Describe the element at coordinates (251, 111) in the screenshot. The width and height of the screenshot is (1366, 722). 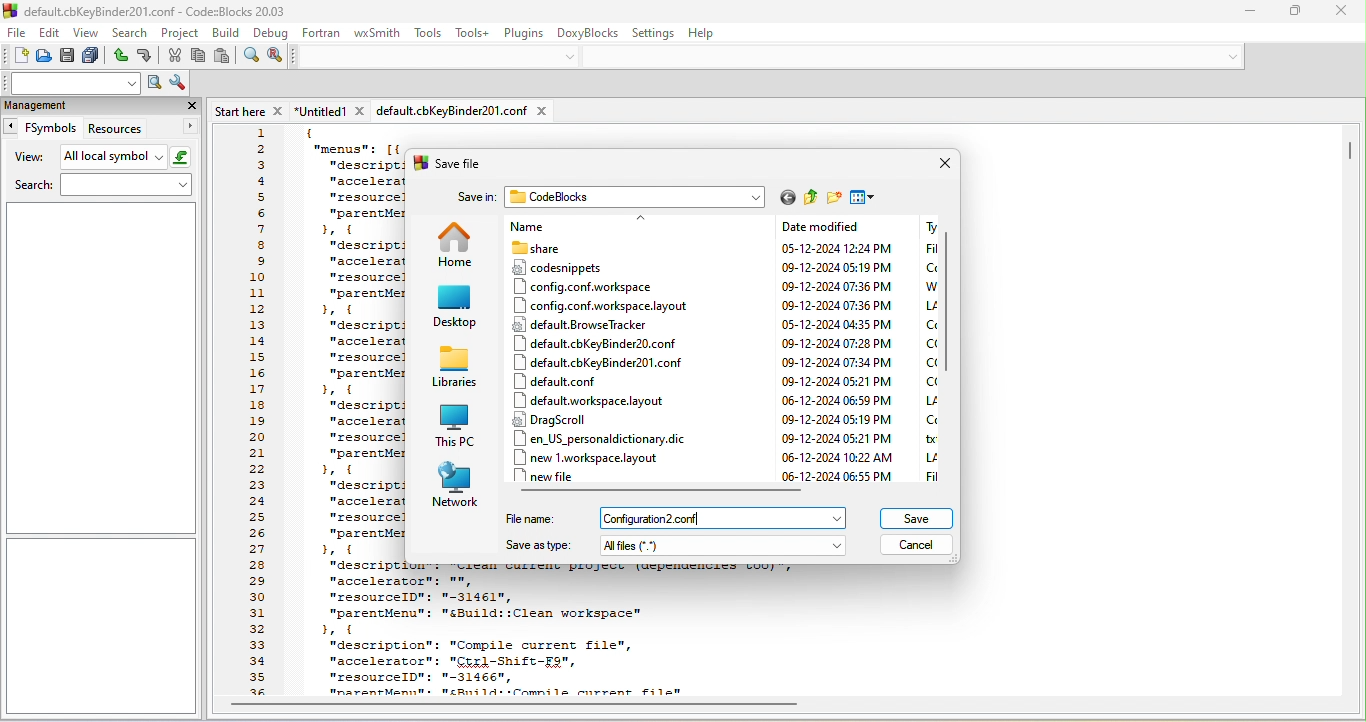
I see `start here` at that location.